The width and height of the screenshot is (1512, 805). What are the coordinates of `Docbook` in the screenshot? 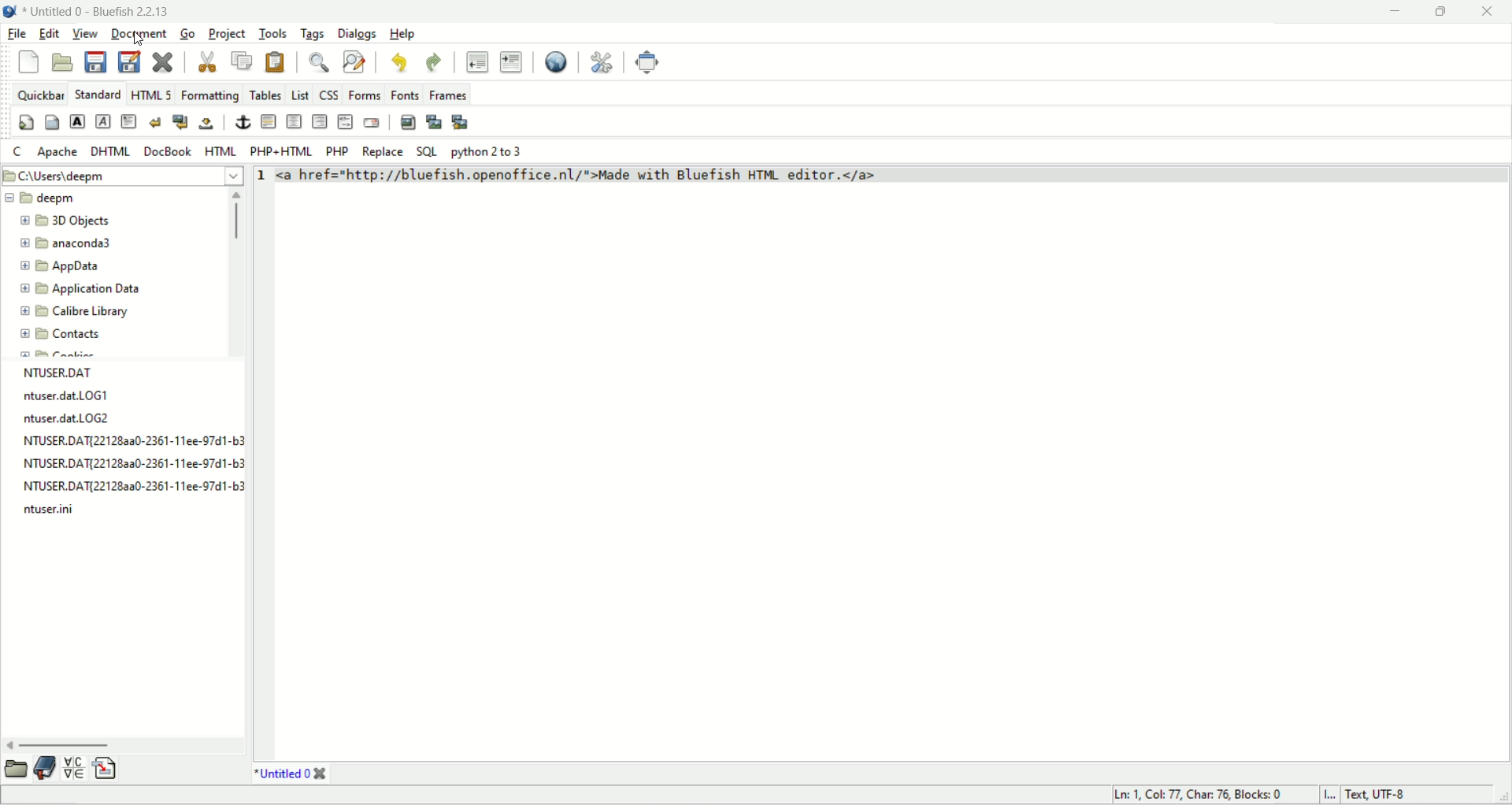 It's located at (169, 152).